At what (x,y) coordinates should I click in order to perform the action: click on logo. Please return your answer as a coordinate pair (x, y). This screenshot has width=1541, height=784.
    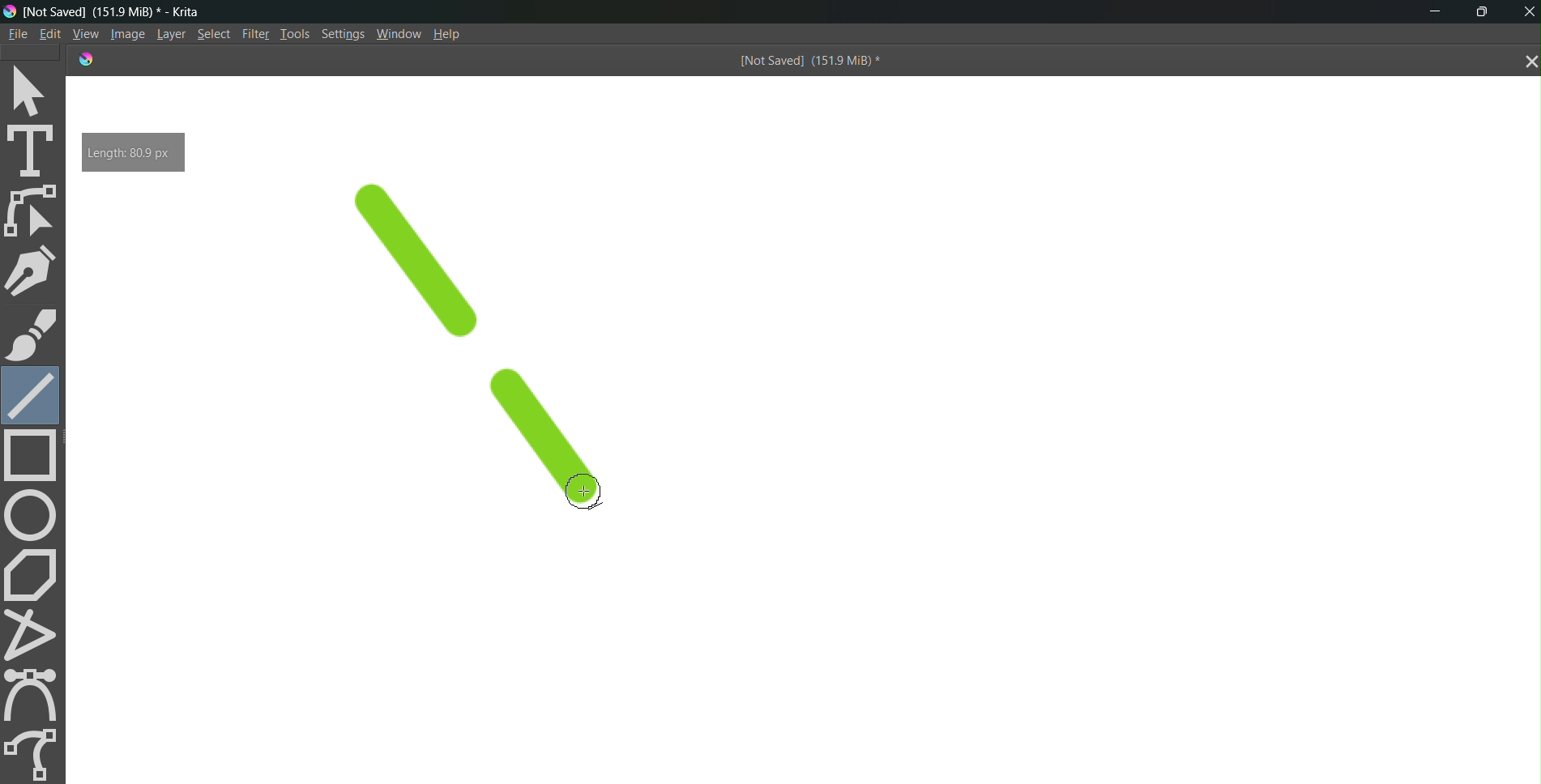
    Looking at the image, I should click on (10, 11).